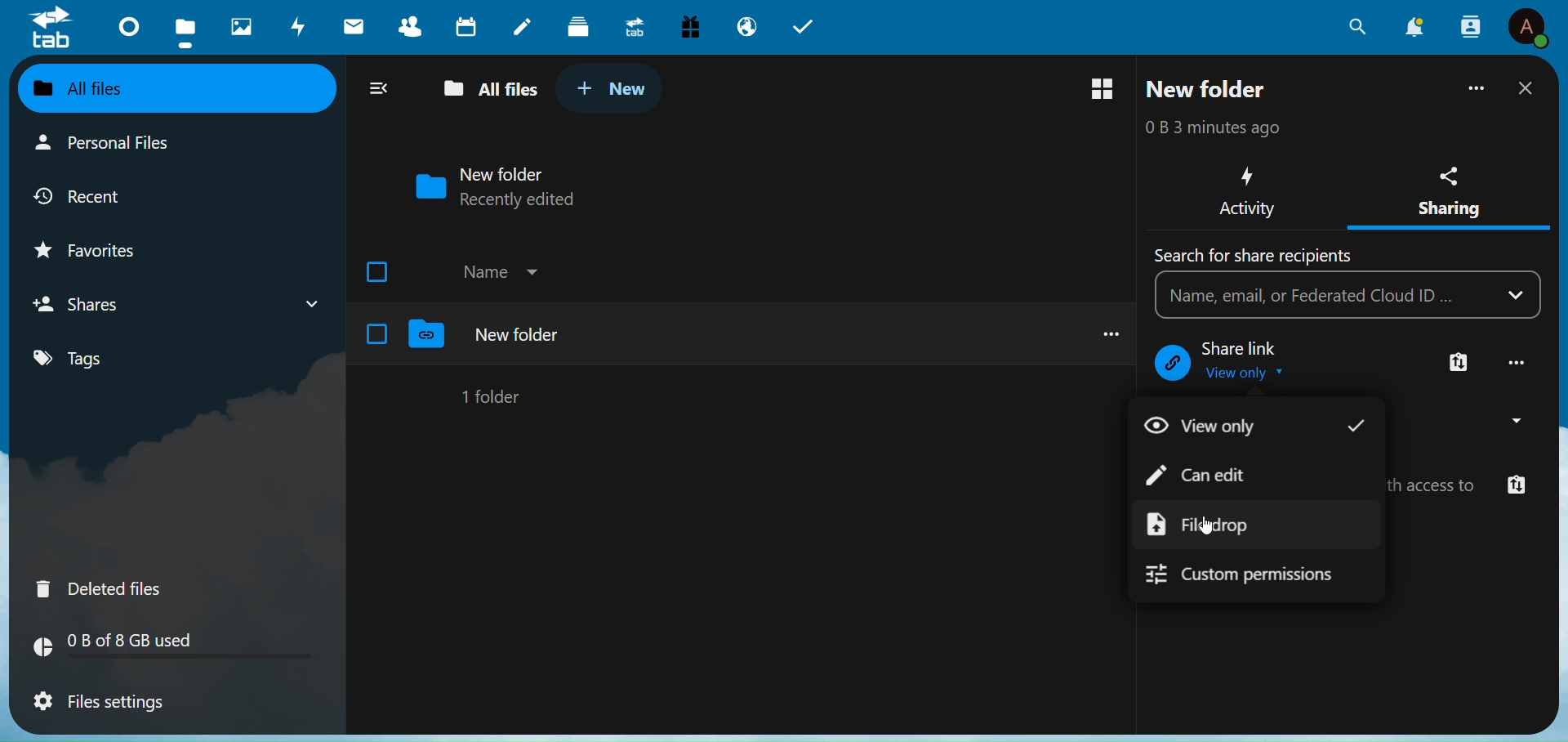 Image resolution: width=1568 pixels, height=742 pixels. I want to click on filedrop, so click(1212, 525).